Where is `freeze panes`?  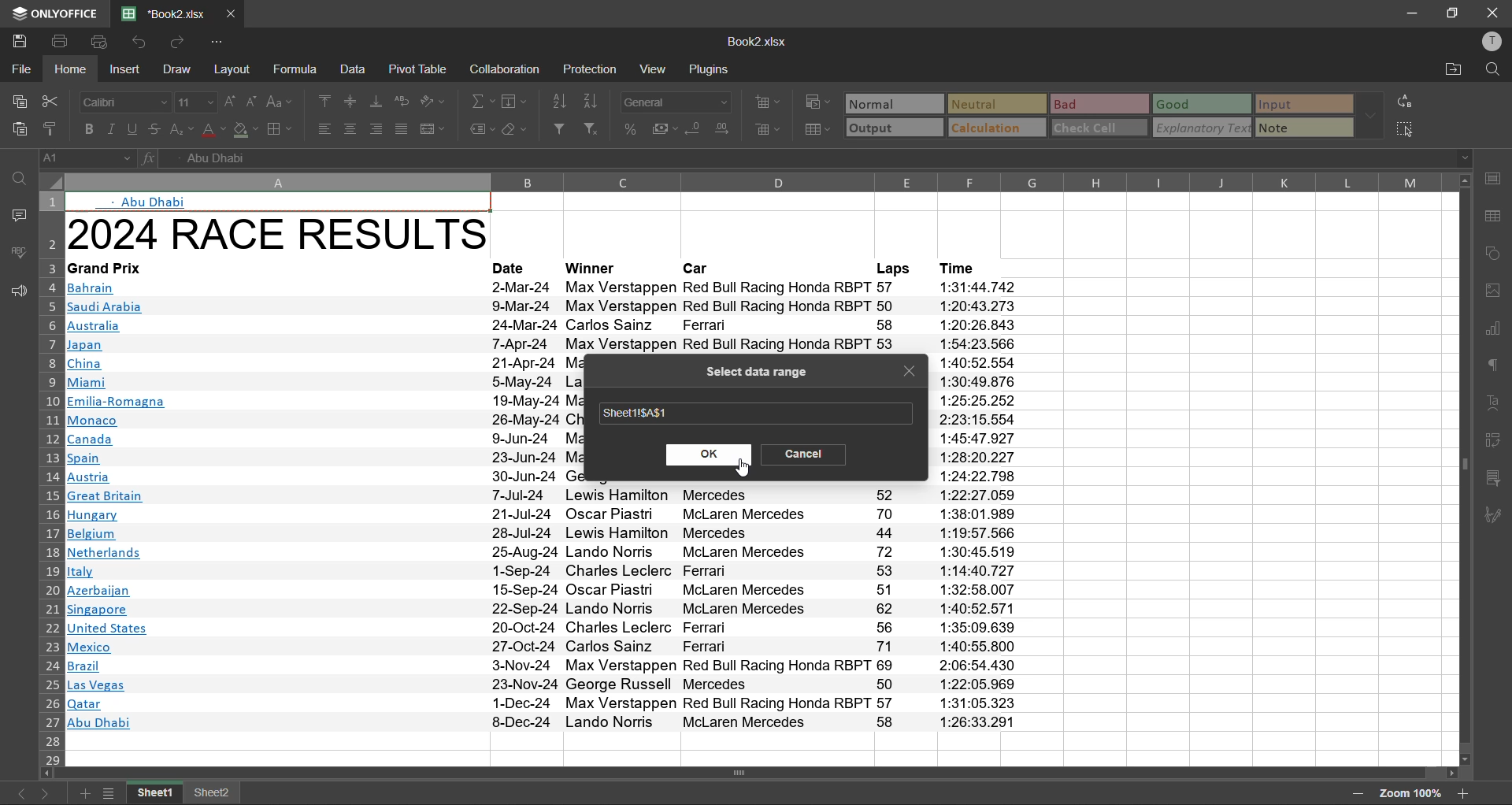
freeze panes is located at coordinates (158, 793).